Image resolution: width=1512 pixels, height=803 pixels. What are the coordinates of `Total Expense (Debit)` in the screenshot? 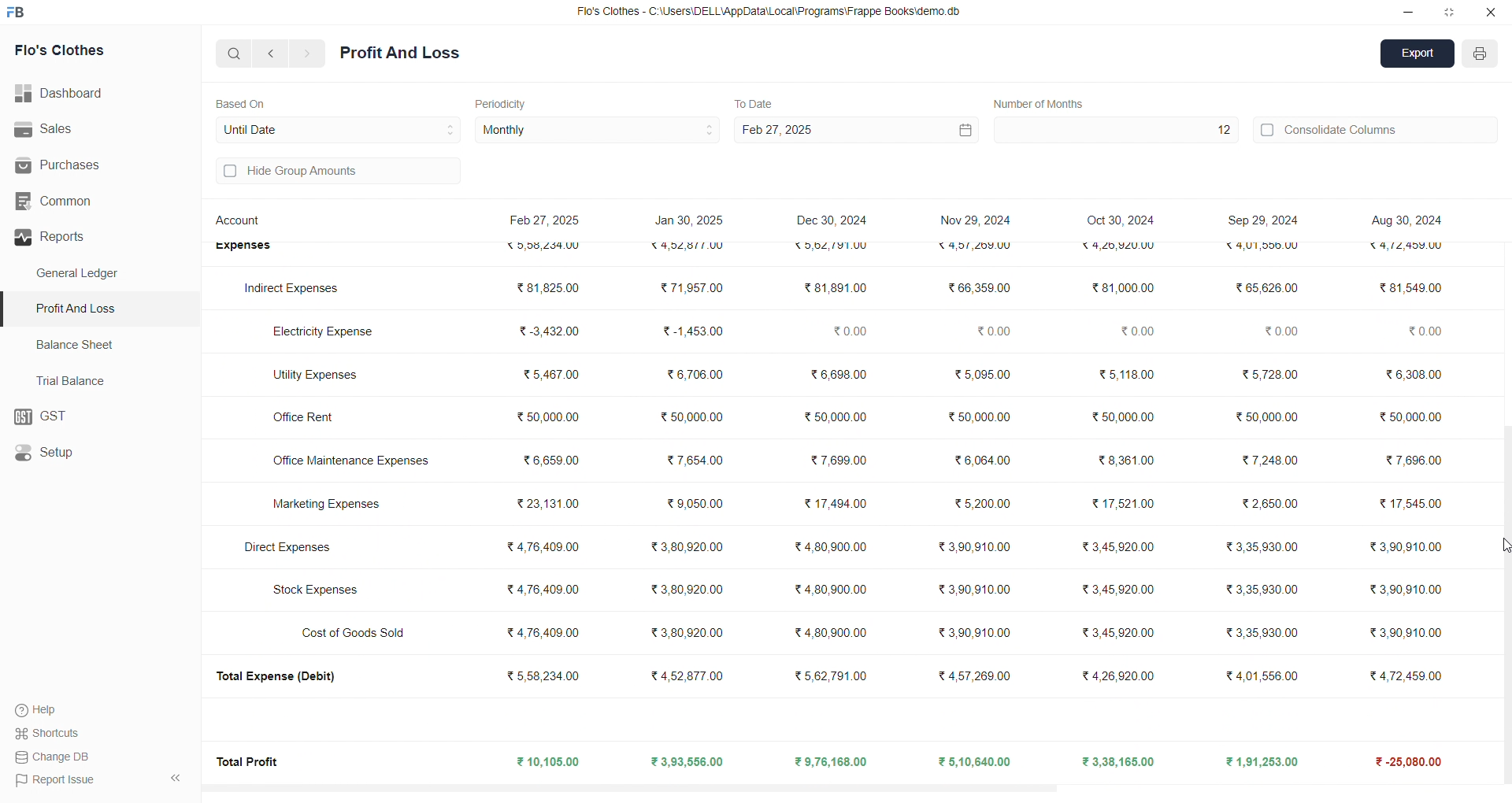 It's located at (284, 677).